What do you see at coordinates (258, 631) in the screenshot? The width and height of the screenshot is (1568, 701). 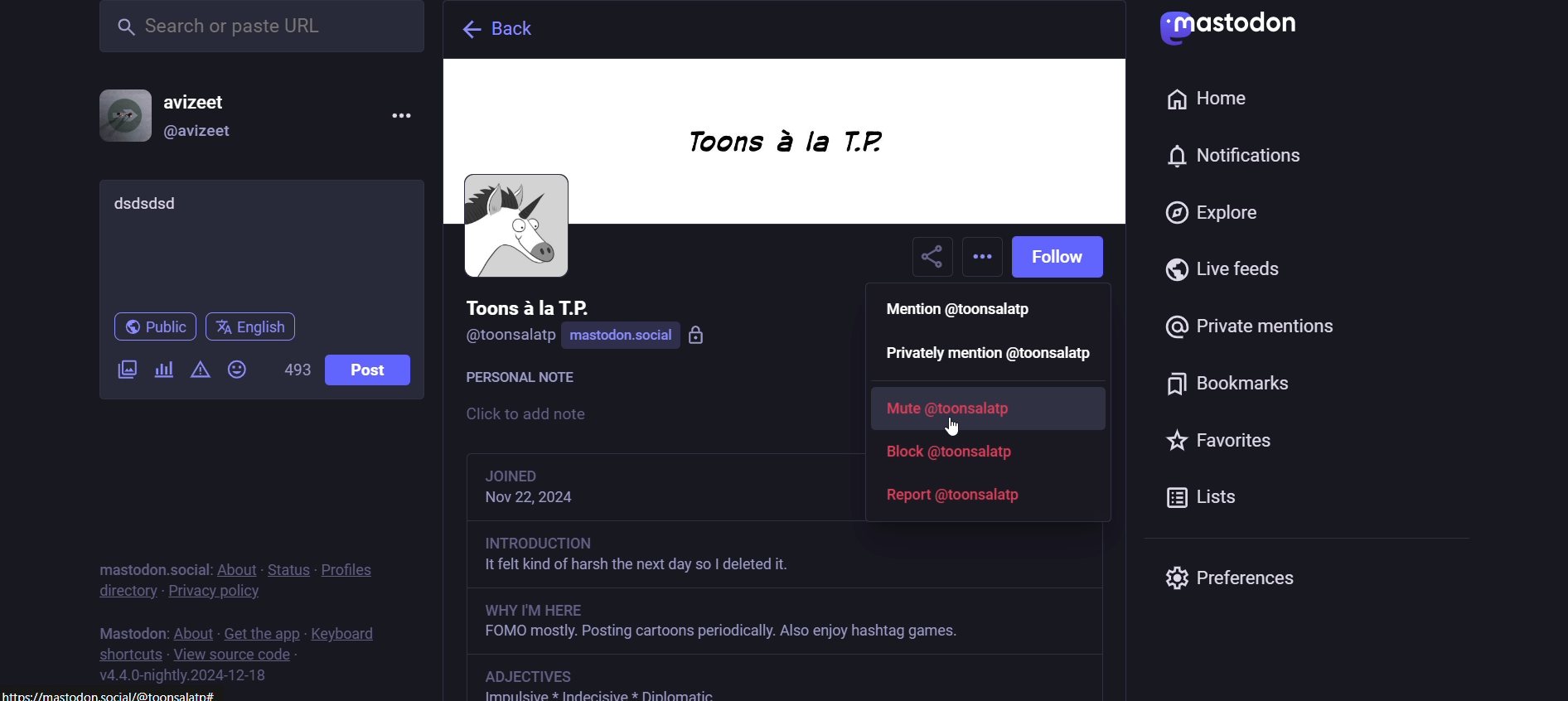 I see `get the app` at bounding box center [258, 631].